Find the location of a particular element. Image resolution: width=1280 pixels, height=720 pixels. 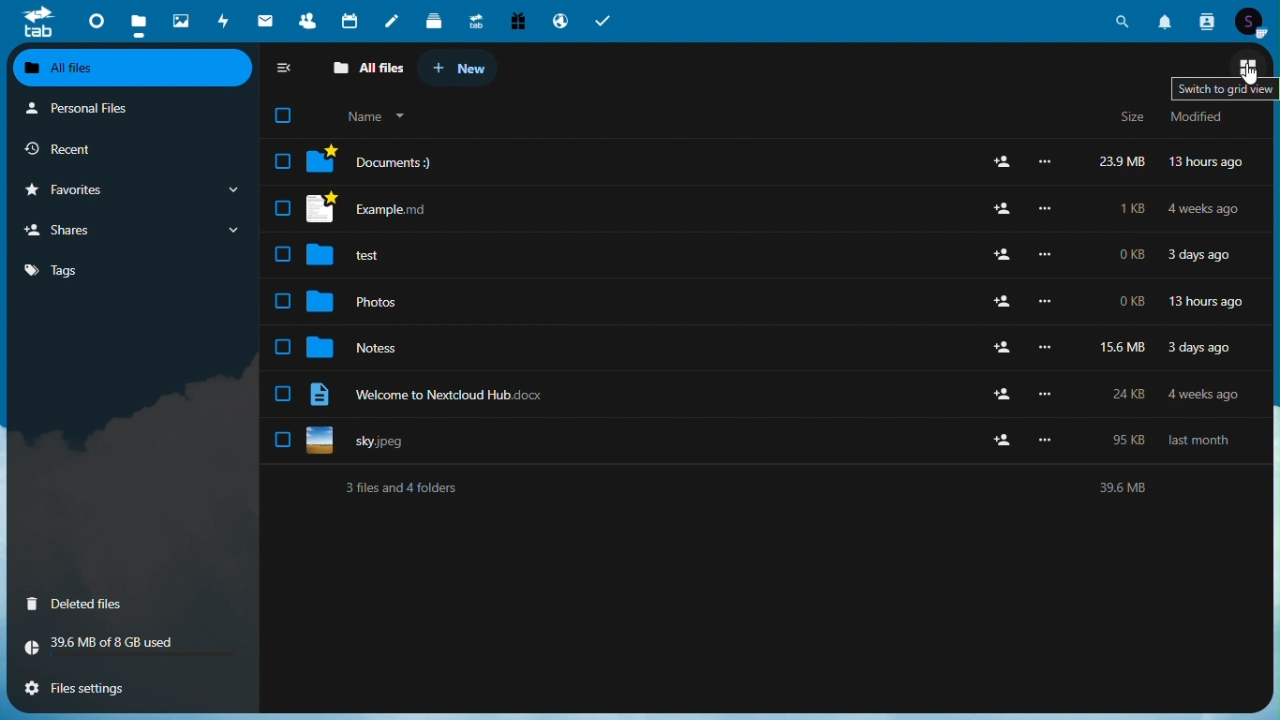

1kb is located at coordinates (1133, 210).